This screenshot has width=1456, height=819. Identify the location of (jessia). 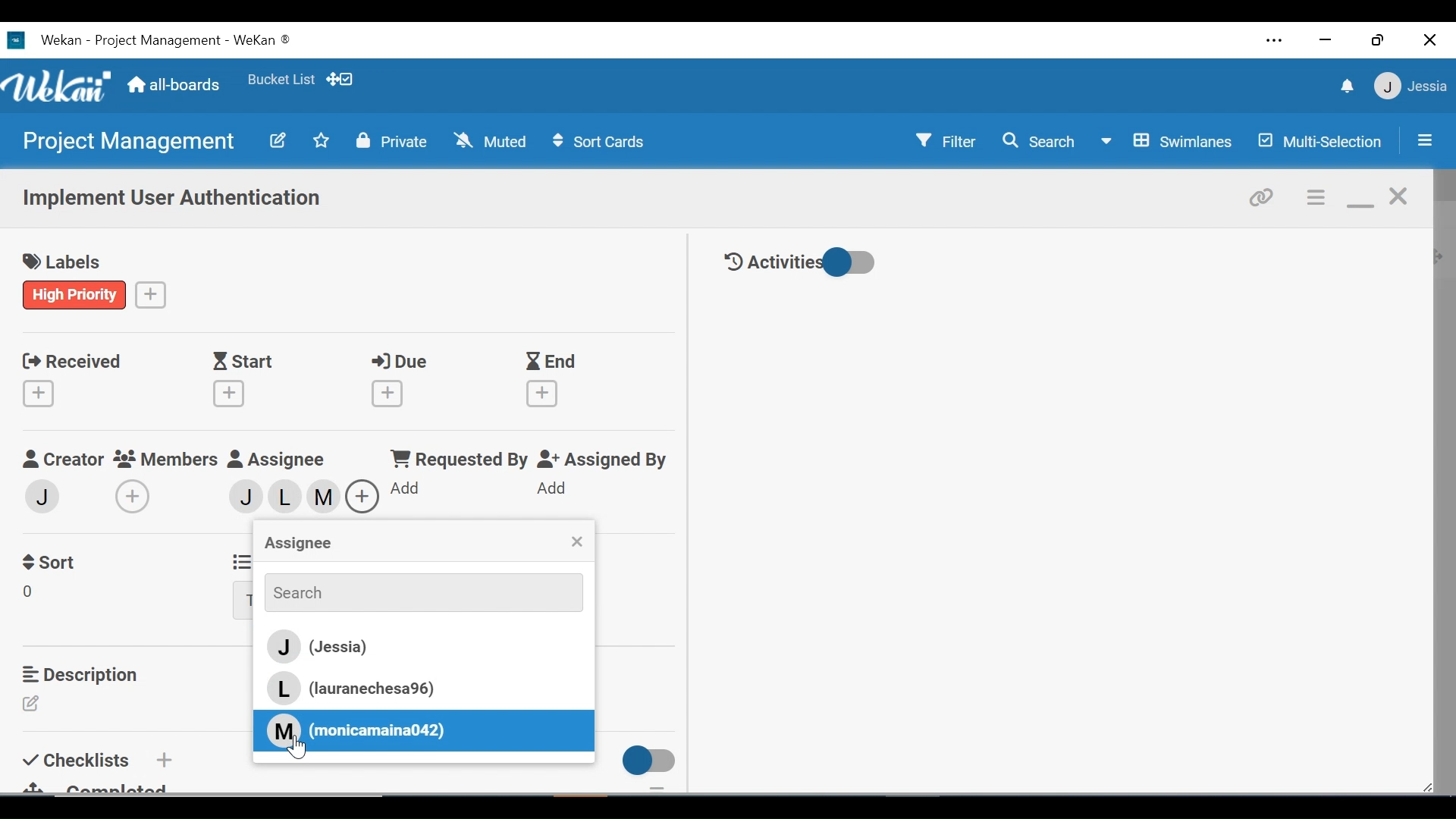
(420, 648).